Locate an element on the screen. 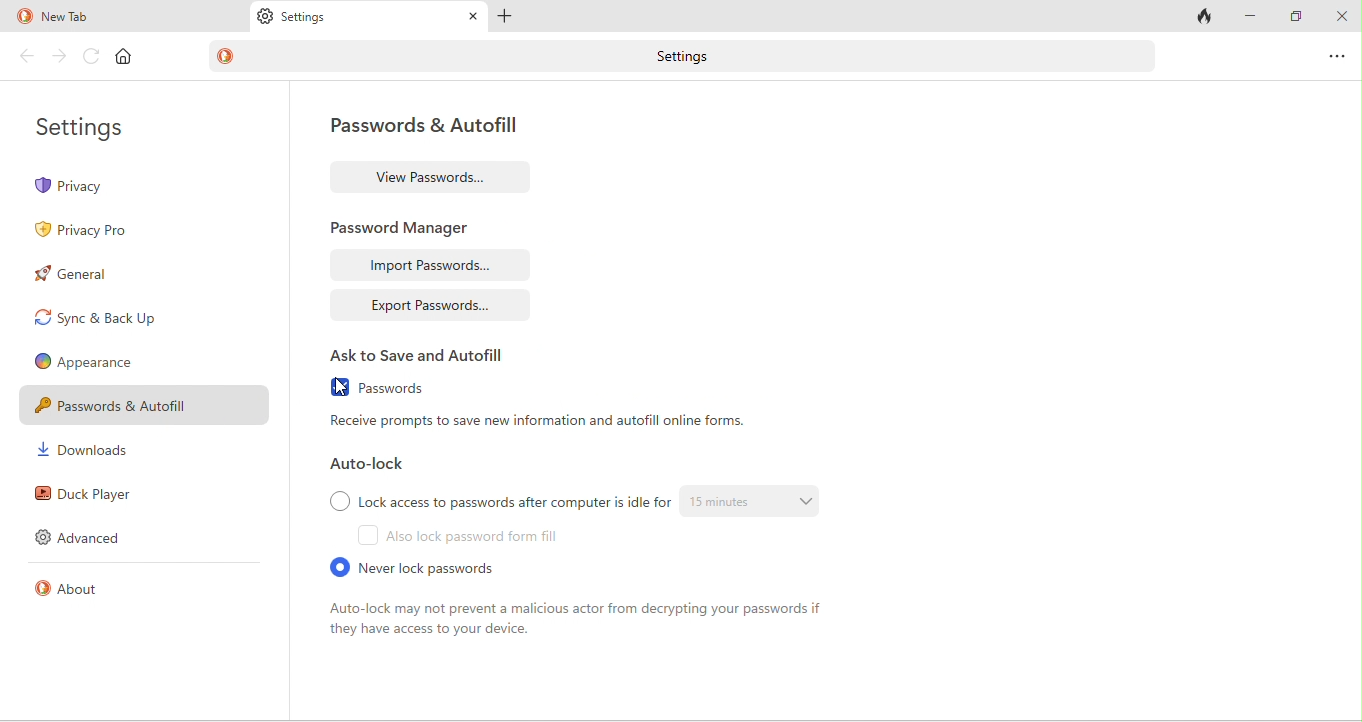 The width and height of the screenshot is (1362, 722). export passwords is located at coordinates (430, 304).